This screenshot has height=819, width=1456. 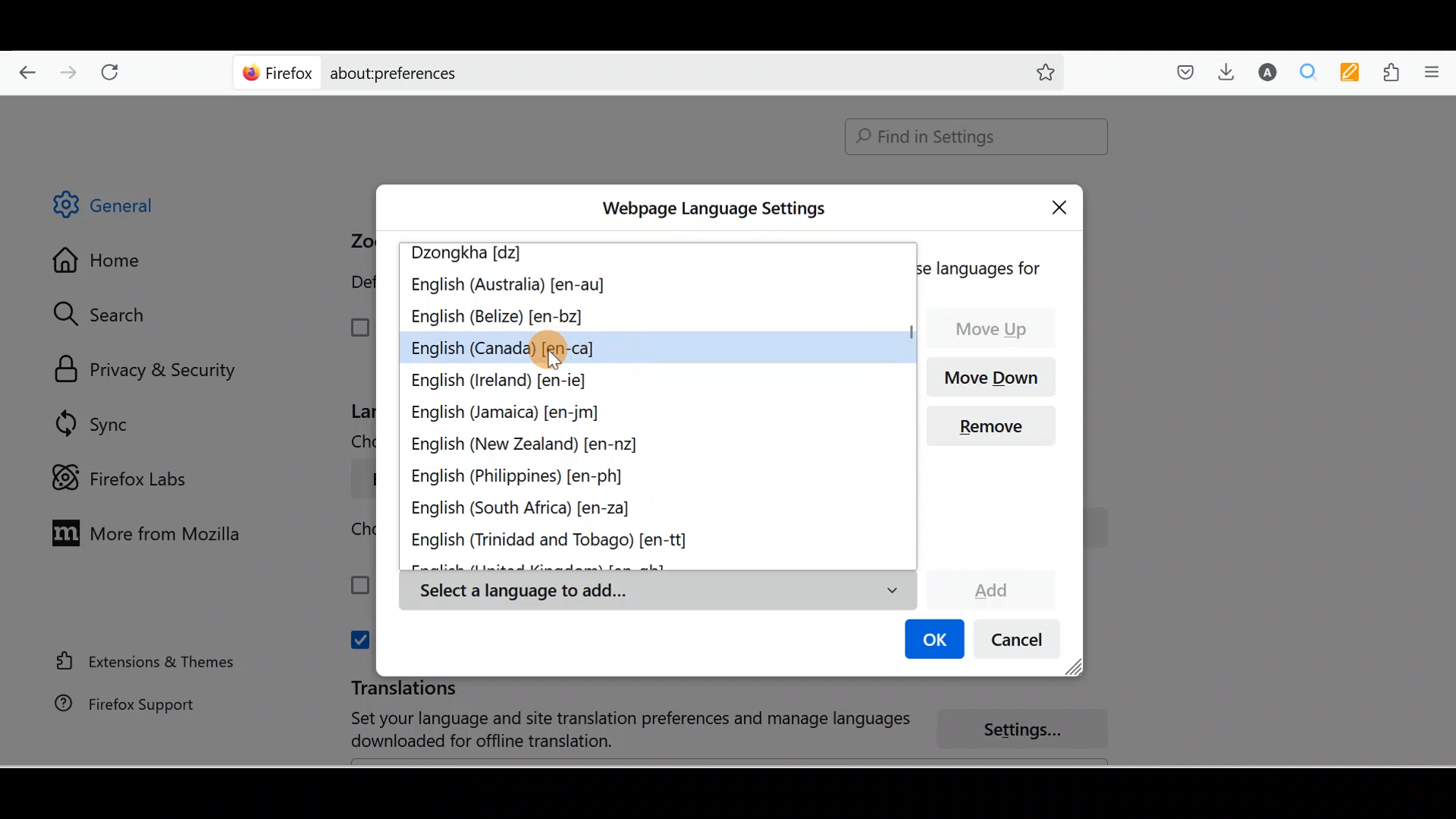 What do you see at coordinates (1034, 71) in the screenshot?
I see `Bookmark this page` at bounding box center [1034, 71].